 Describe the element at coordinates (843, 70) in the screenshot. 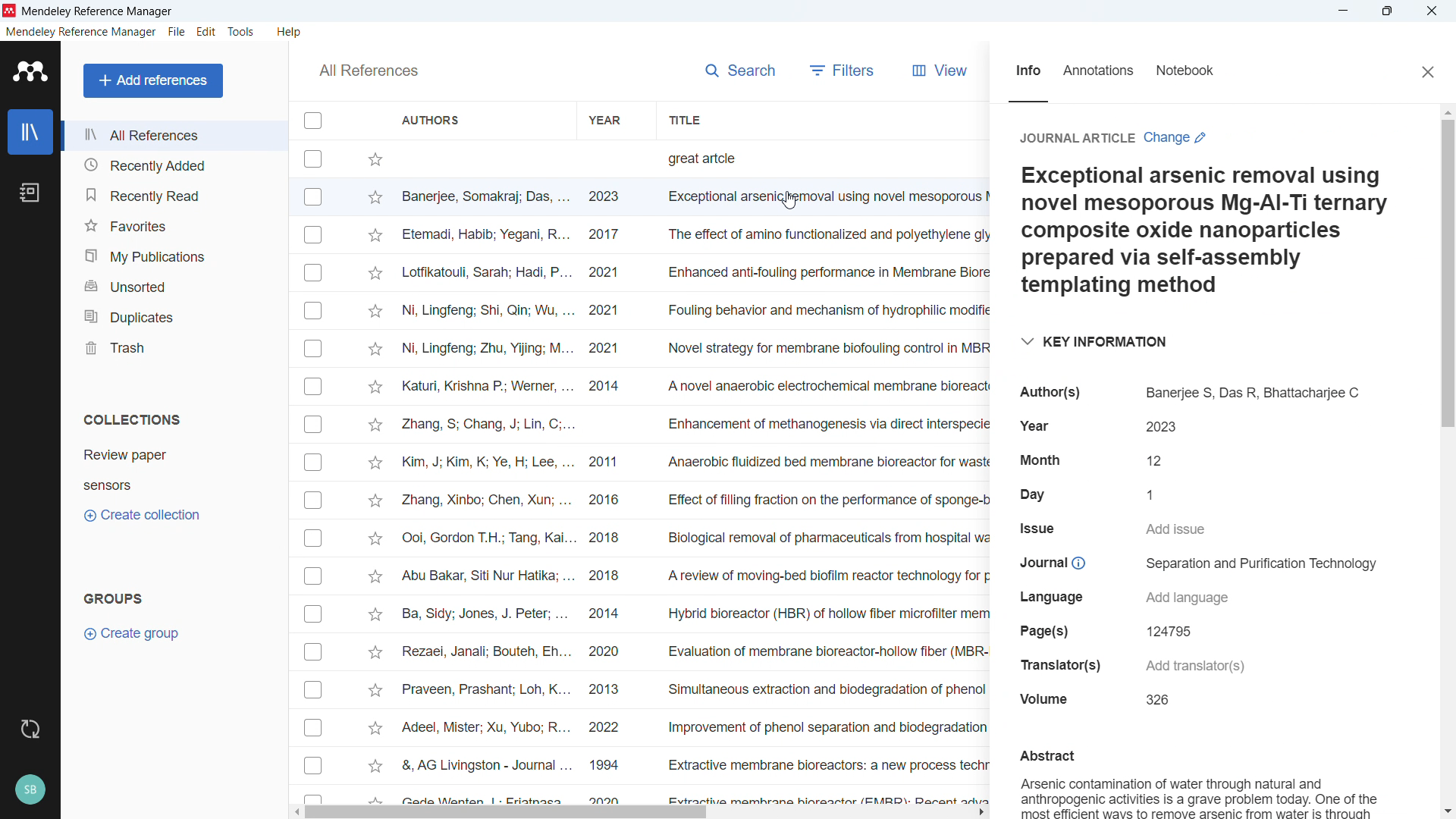

I see `filters` at that location.